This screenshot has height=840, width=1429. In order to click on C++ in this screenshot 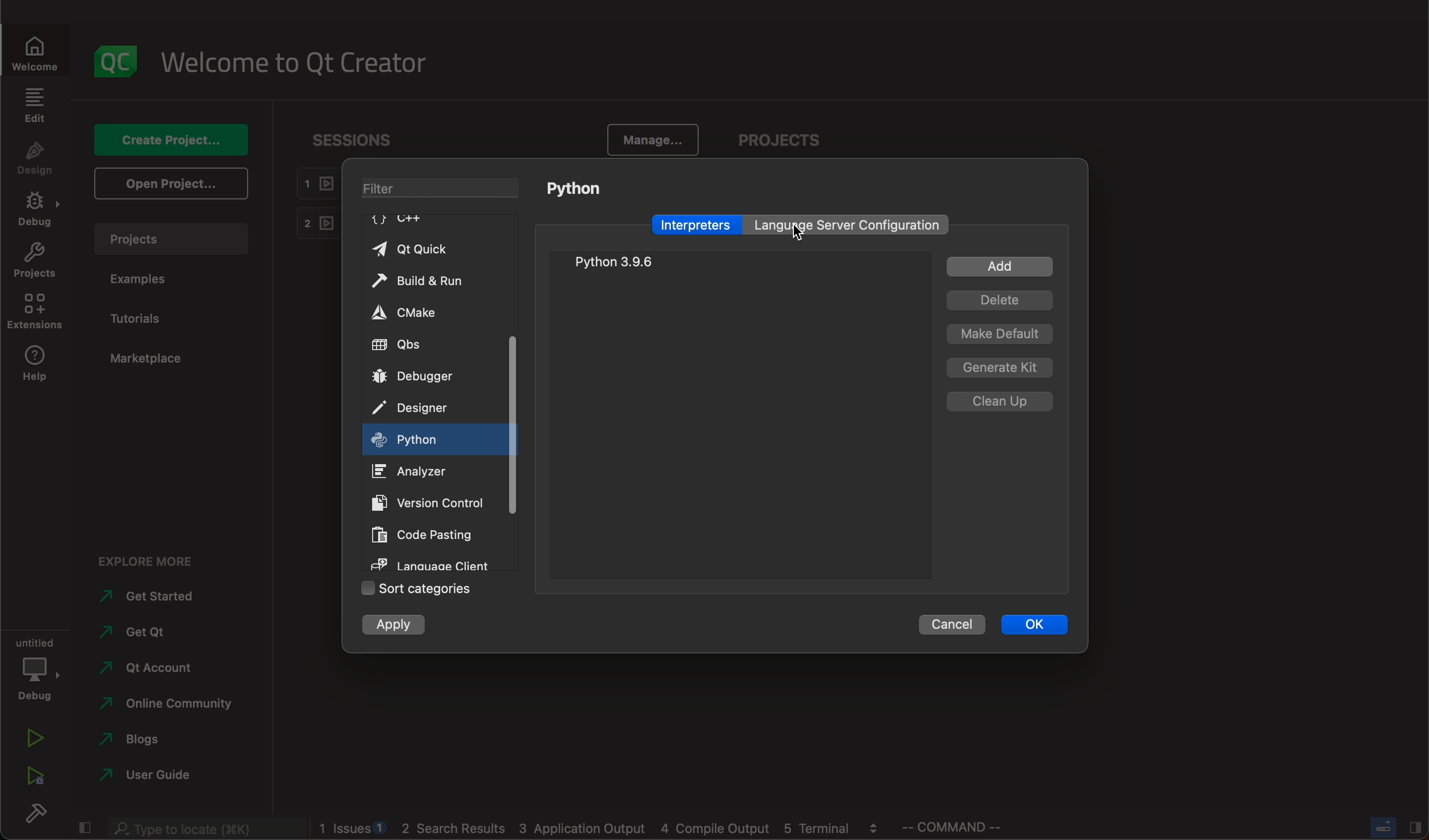, I will do `click(401, 219)`.